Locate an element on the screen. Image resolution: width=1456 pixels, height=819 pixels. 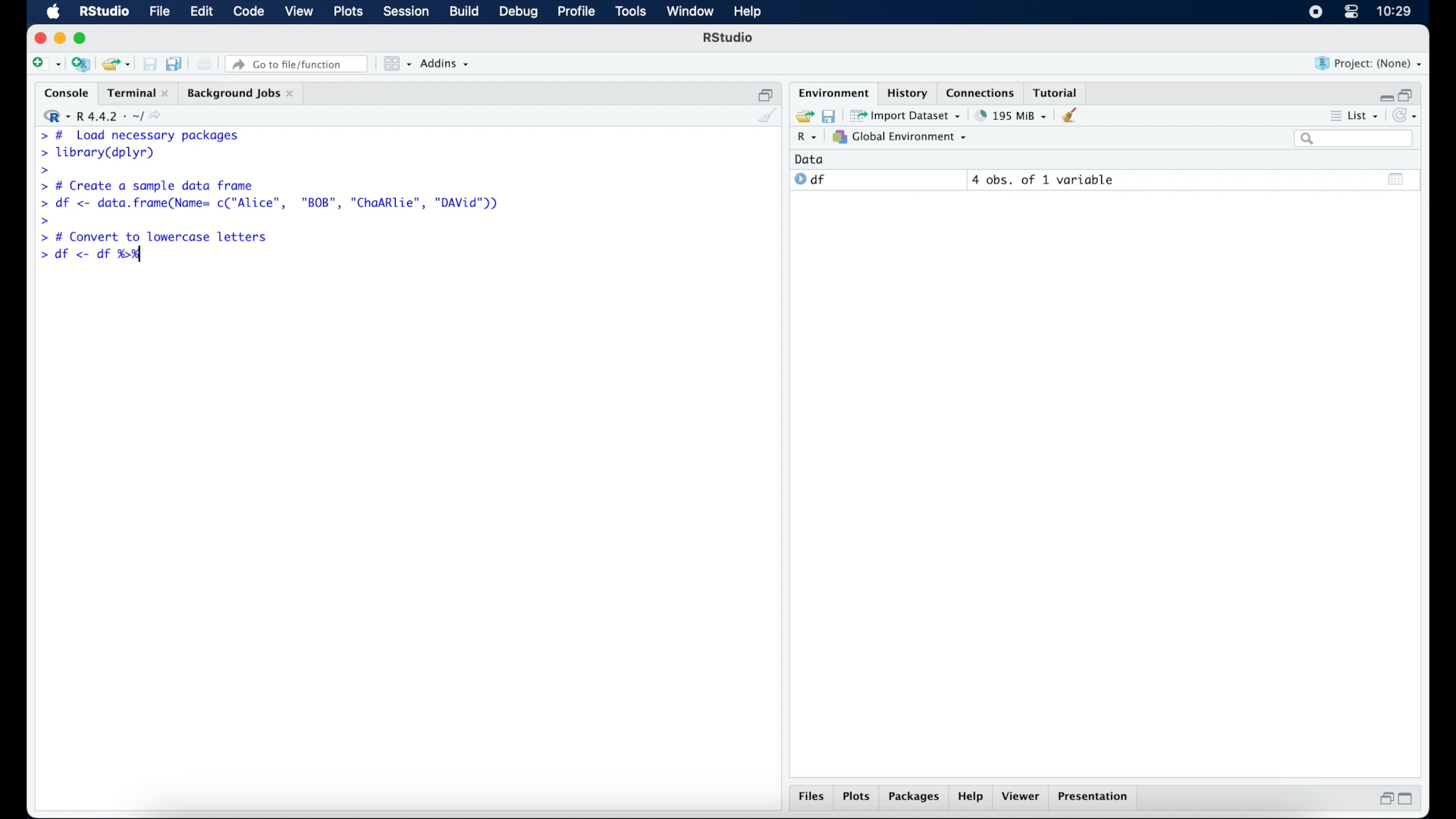
addins is located at coordinates (445, 64).